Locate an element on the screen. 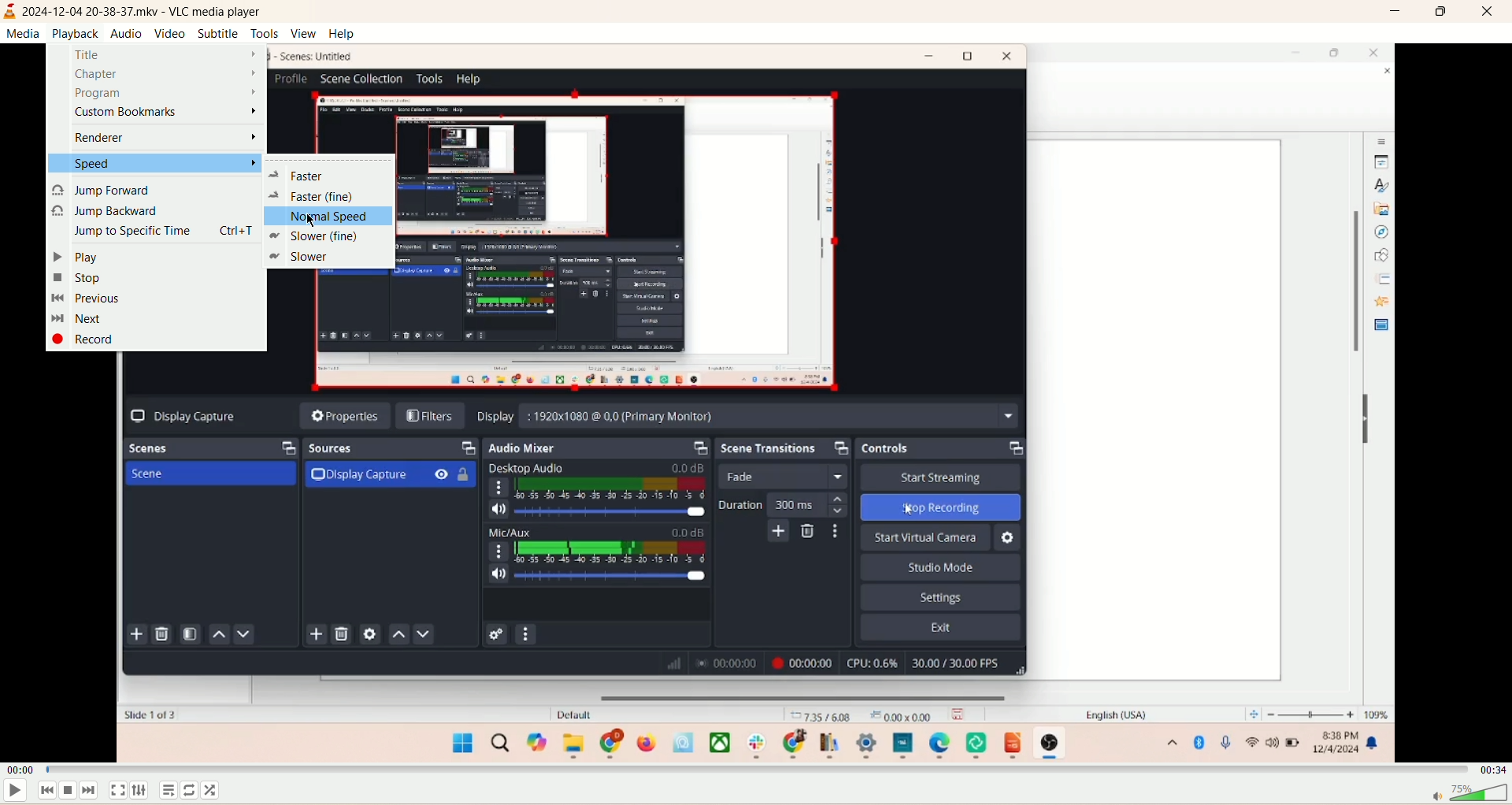 Image resolution: width=1512 pixels, height=805 pixels. 2024-12-04 20-38-37.mkv - VLC media player is located at coordinates (153, 13).